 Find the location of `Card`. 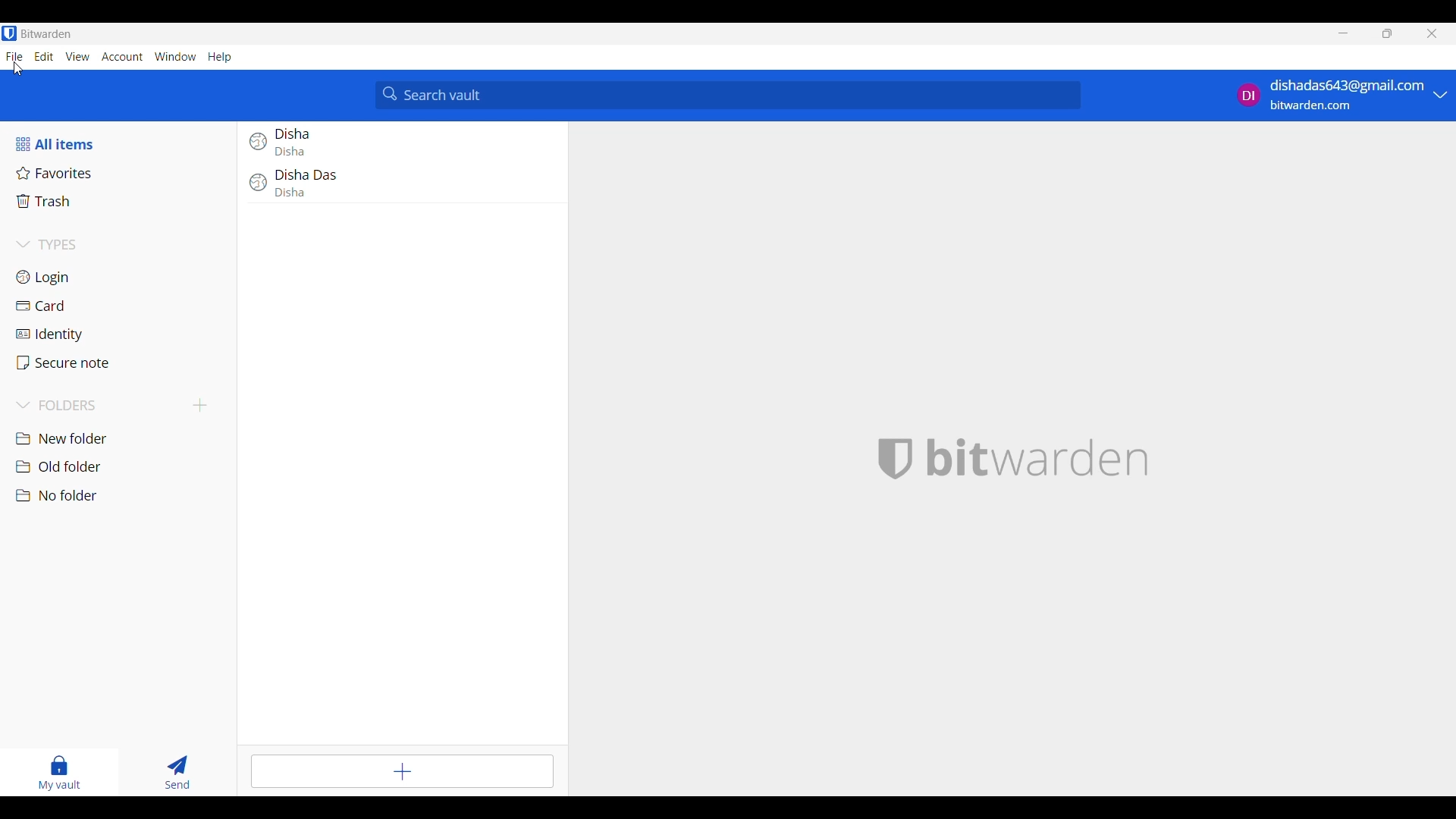

Card is located at coordinates (121, 307).